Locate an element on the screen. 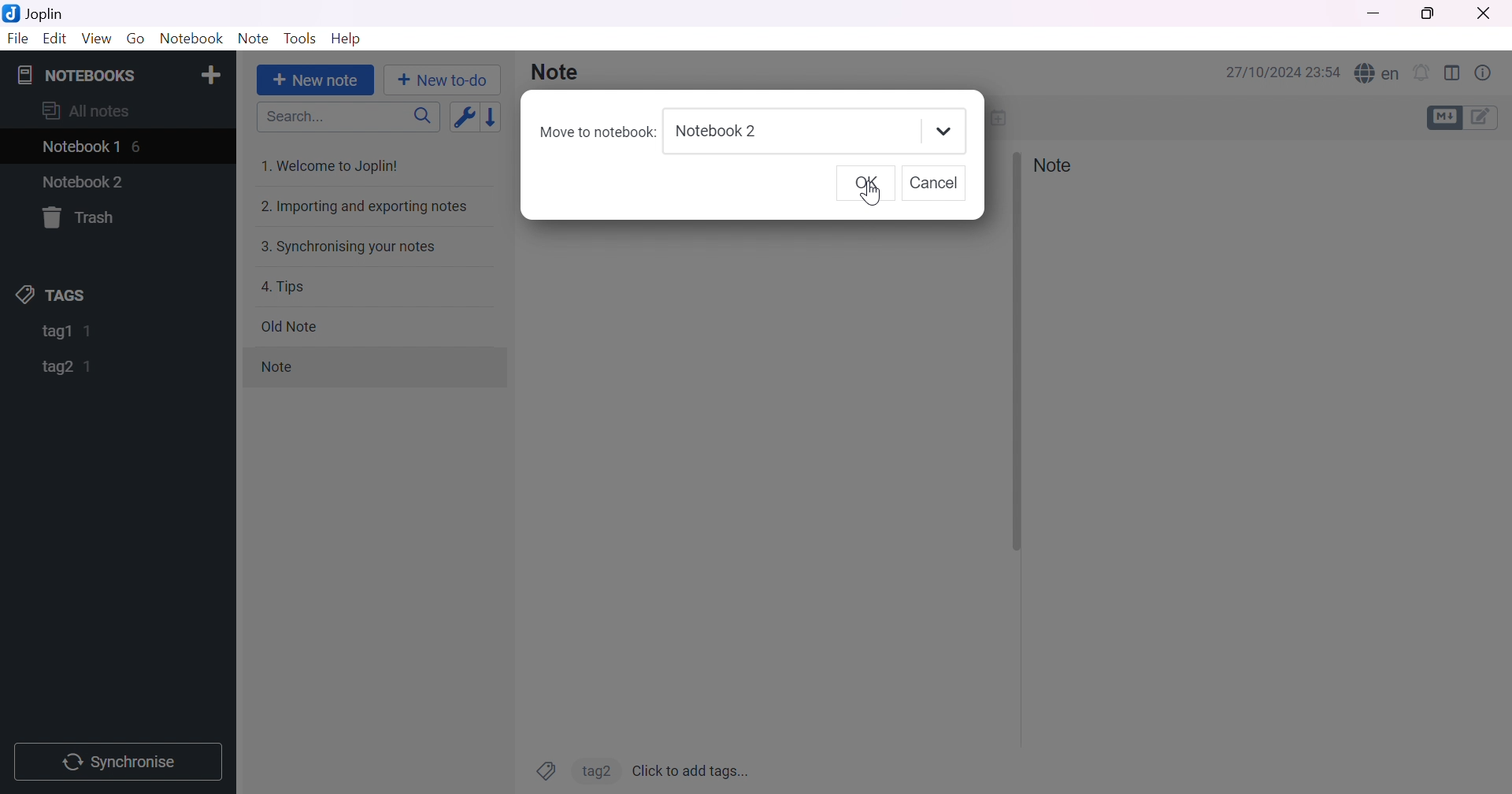 The image size is (1512, 794). Note is located at coordinates (1053, 165).